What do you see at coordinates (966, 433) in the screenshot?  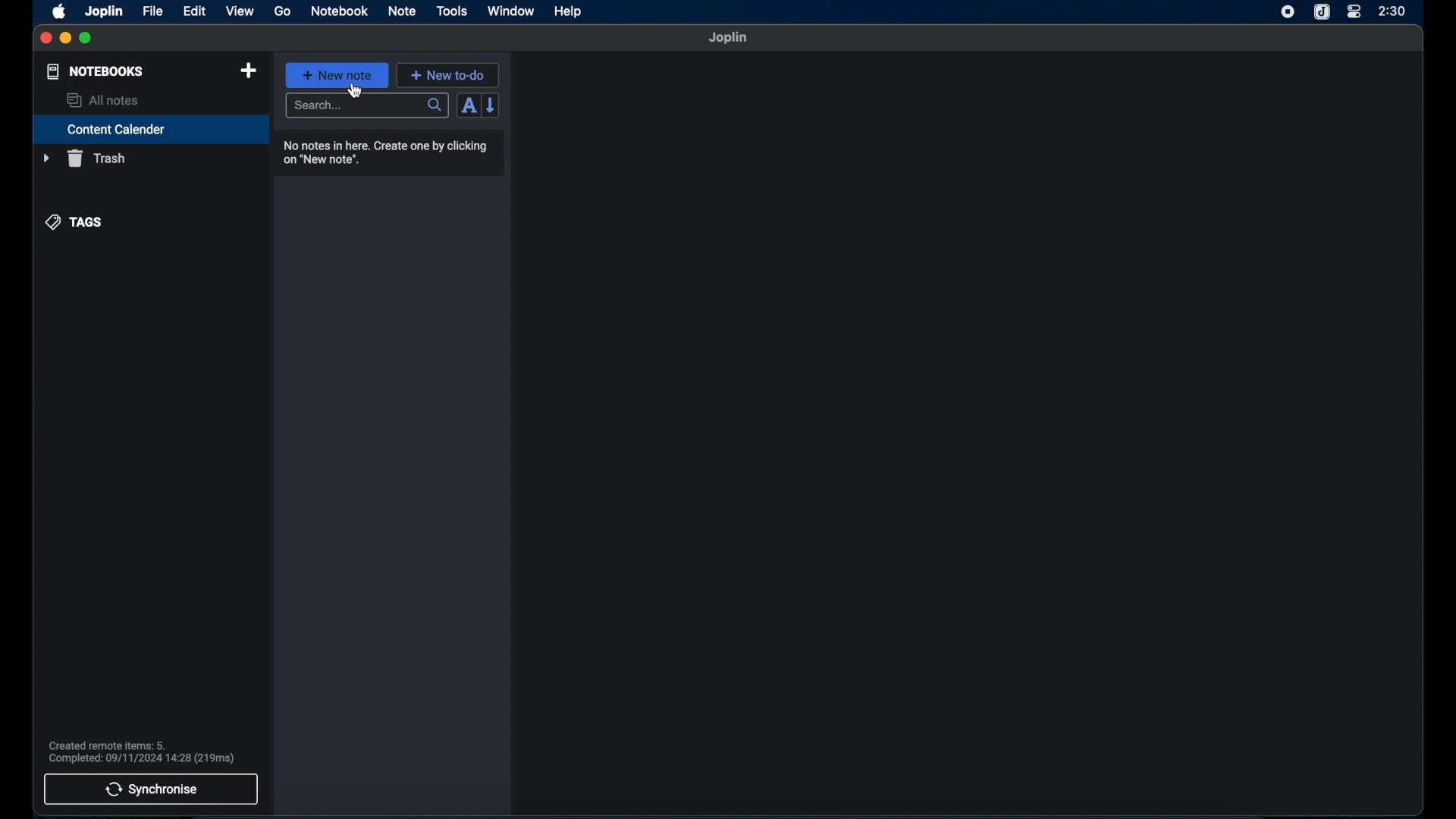 I see `empty state` at bounding box center [966, 433].